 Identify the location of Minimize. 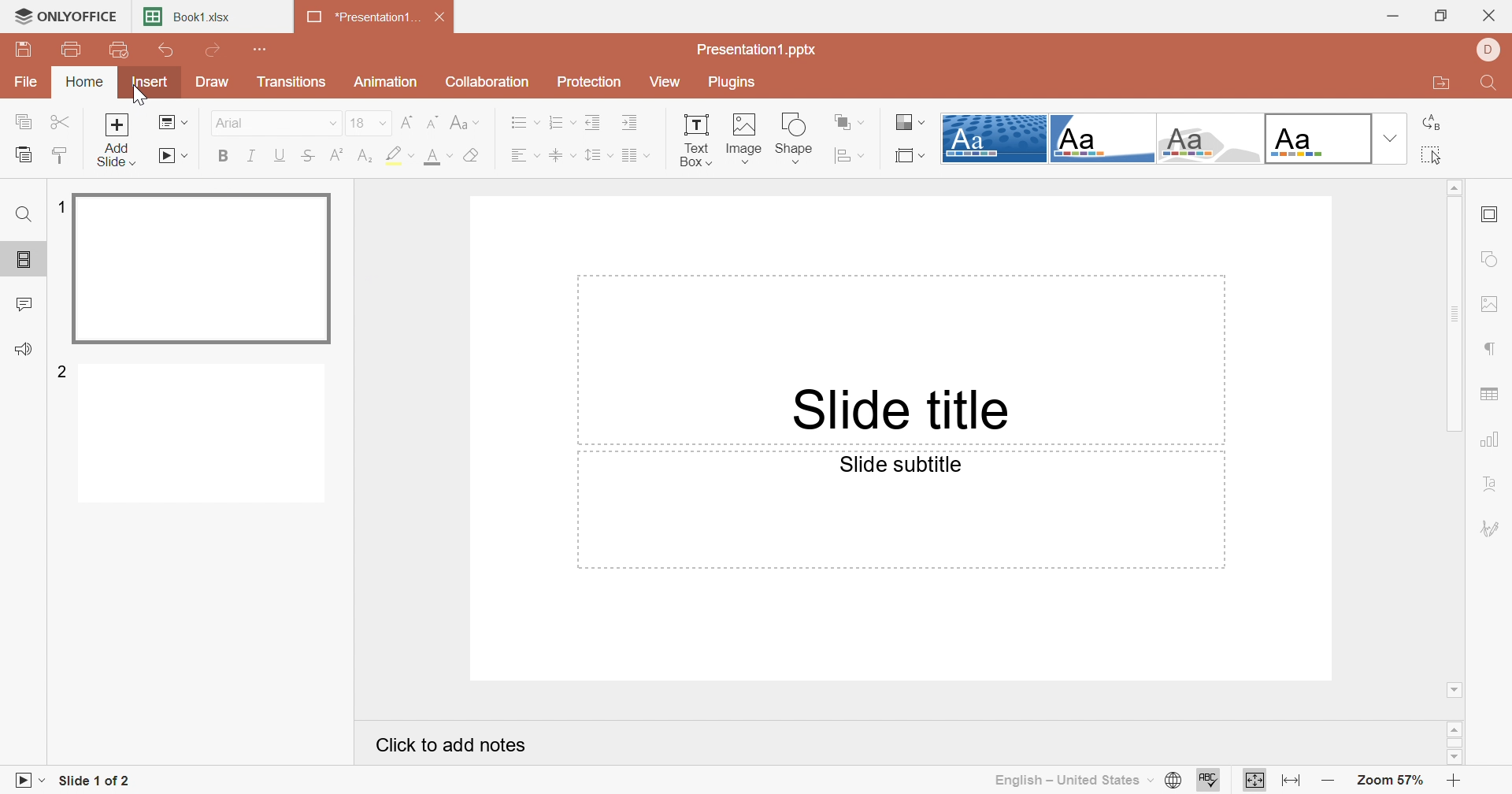
(1393, 17).